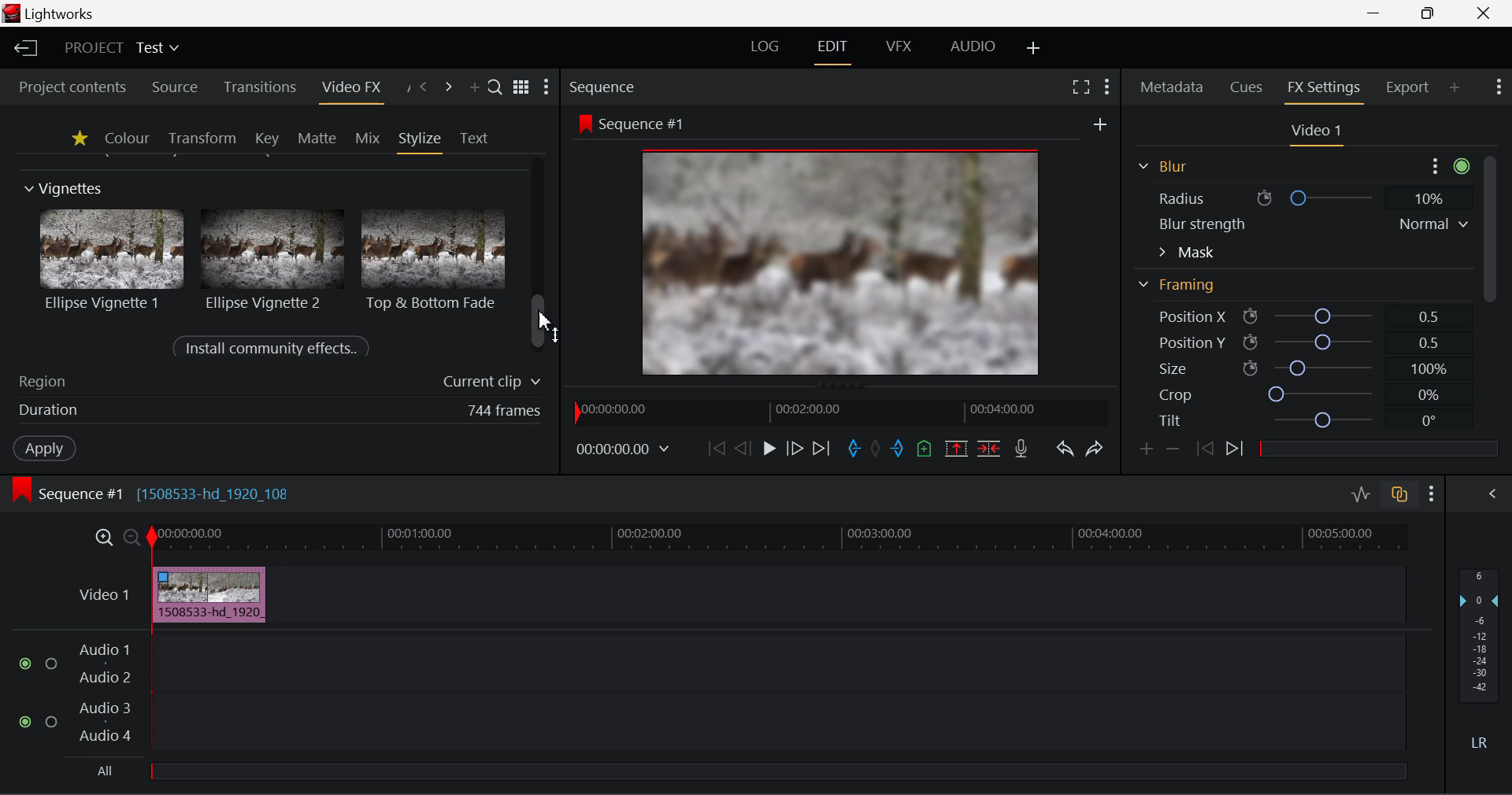 This screenshot has width=1512, height=795. Describe the element at coordinates (474, 89) in the screenshot. I see `Add Panel` at that location.